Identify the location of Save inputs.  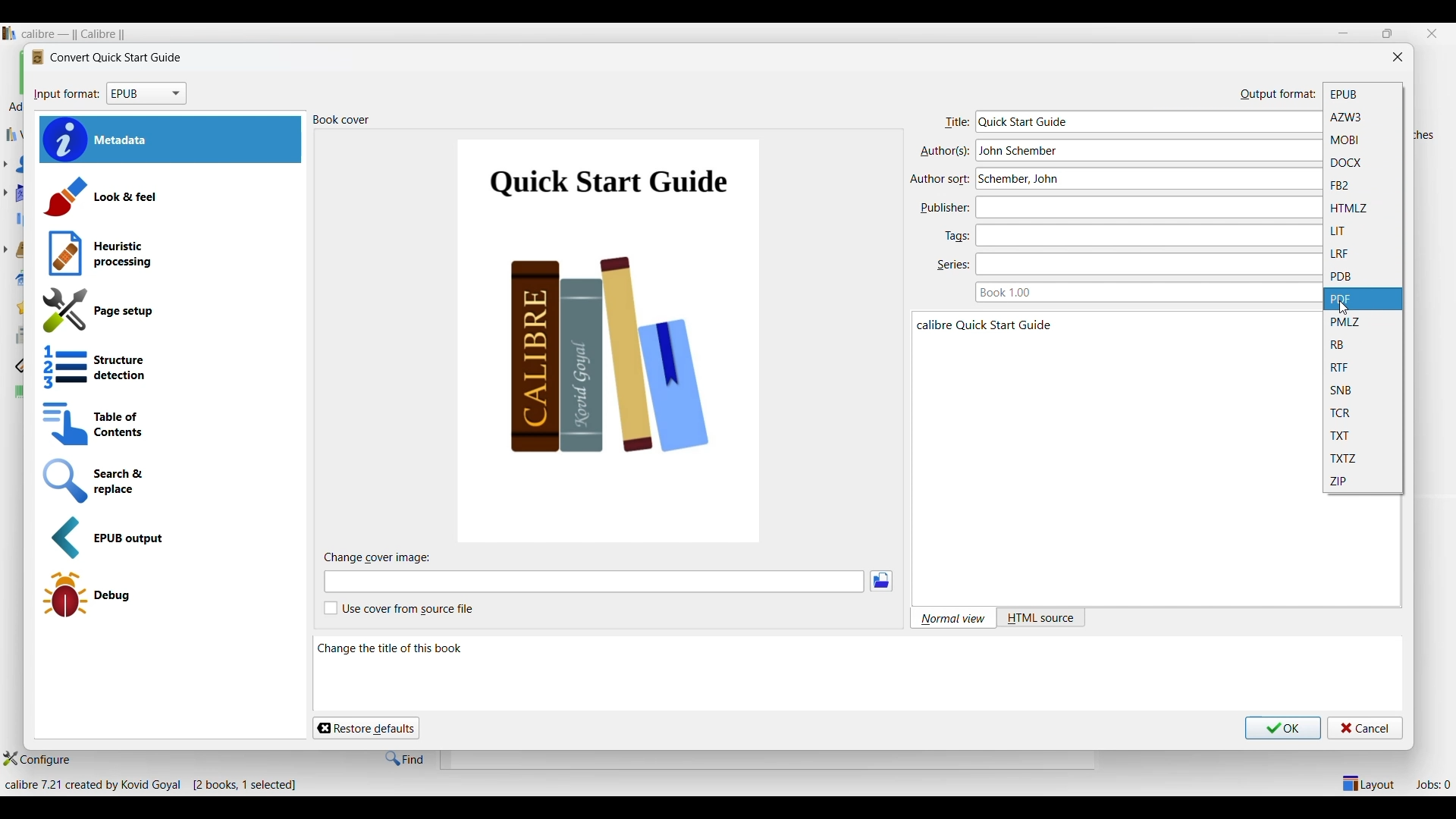
(1283, 729).